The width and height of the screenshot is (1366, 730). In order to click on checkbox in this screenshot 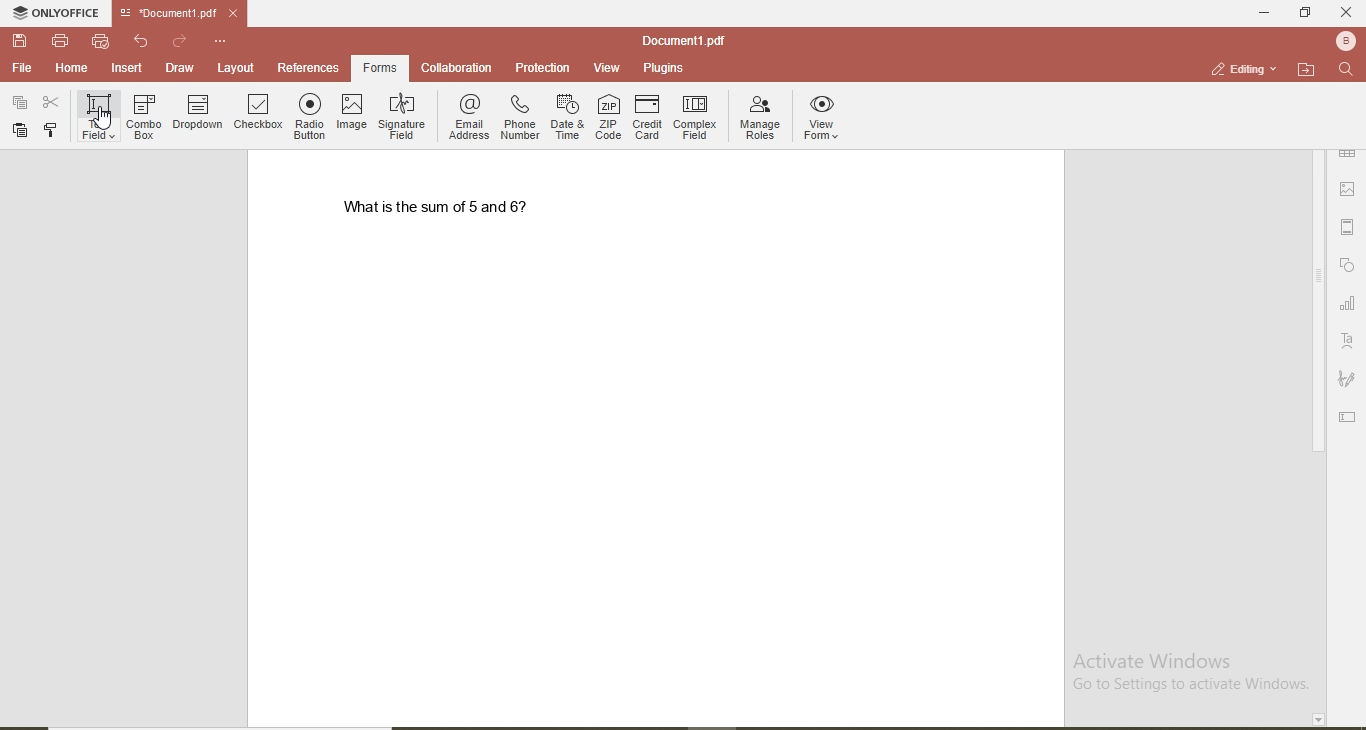, I will do `click(259, 113)`.